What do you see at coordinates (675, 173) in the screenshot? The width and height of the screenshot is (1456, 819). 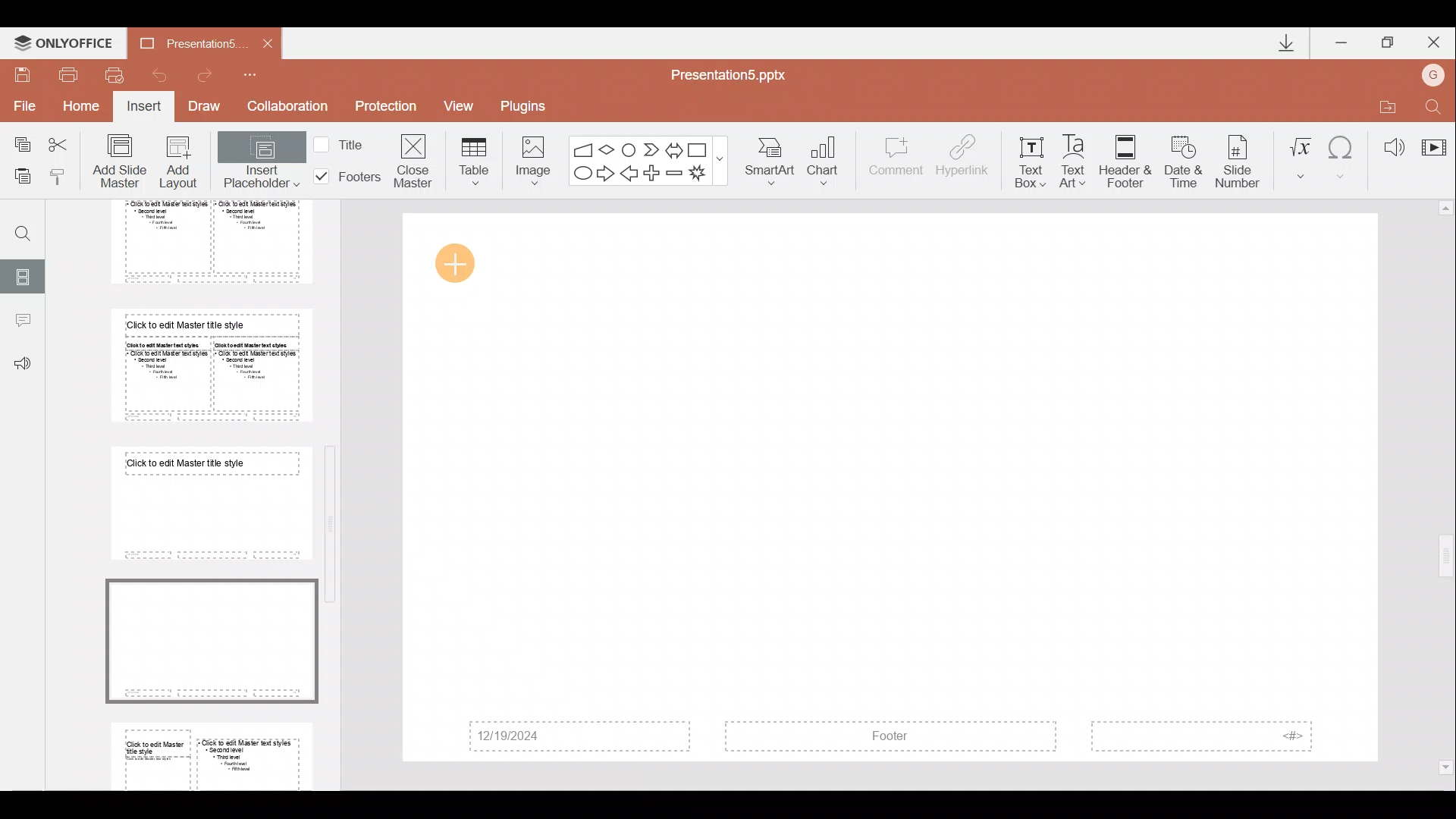 I see `Minus` at bounding box center [675, 173].